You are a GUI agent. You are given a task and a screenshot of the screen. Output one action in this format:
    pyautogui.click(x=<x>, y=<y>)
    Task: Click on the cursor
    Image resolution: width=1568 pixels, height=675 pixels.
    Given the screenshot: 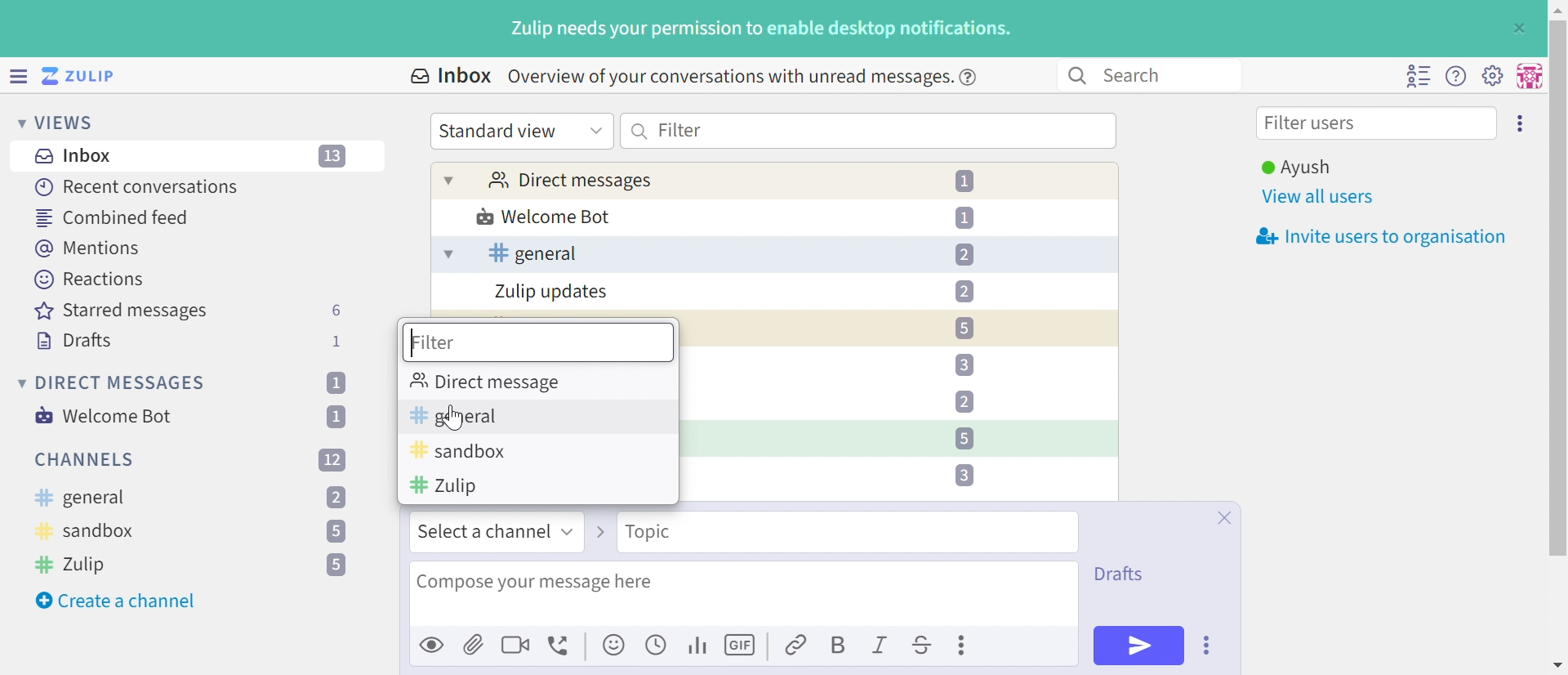 What is the action you would take?
    pyautogui.click(x=454, y=418)
    